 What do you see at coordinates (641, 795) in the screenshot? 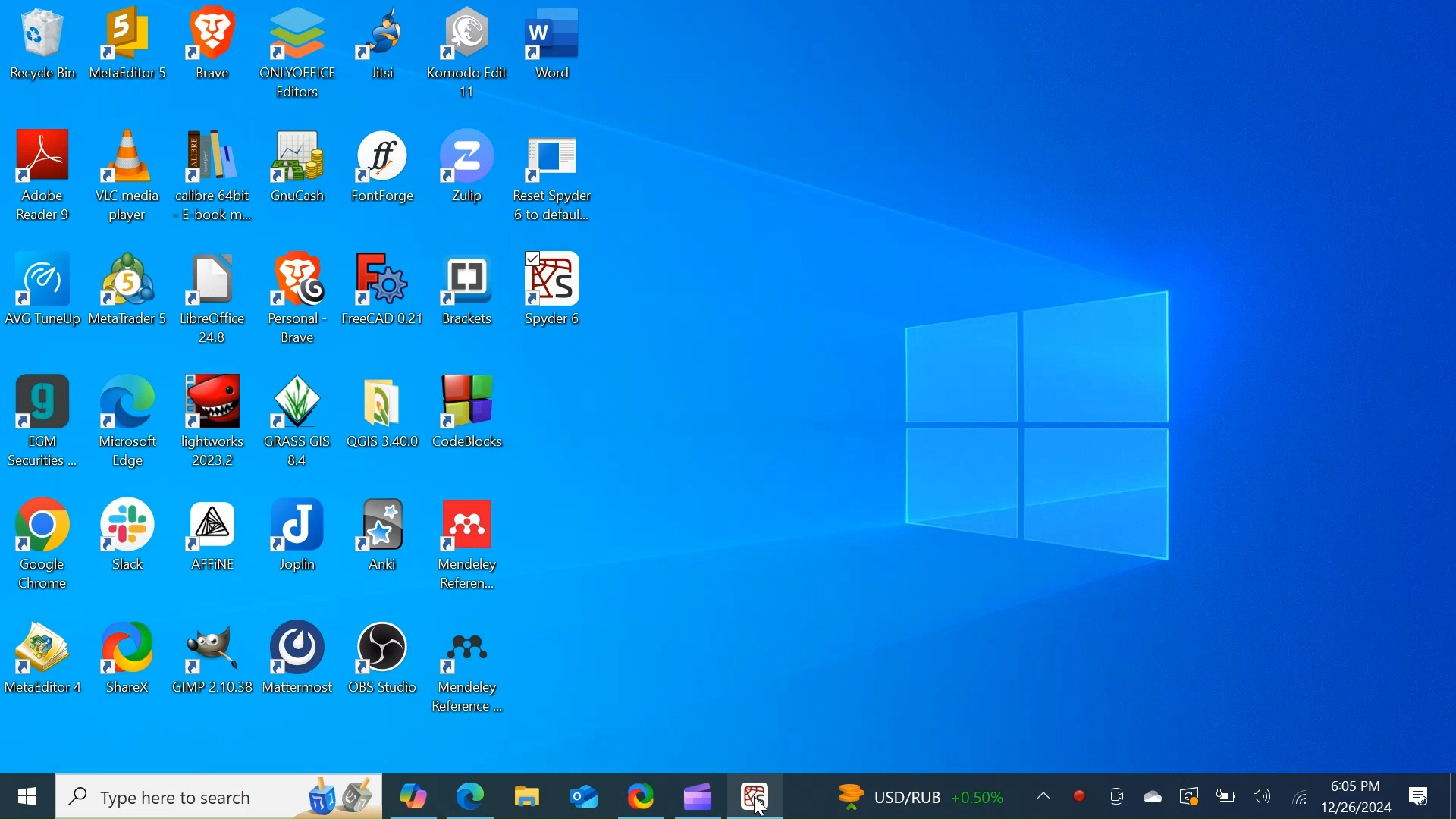
I see `Sharex Desktop Icon` at bounding box center [641, 795].